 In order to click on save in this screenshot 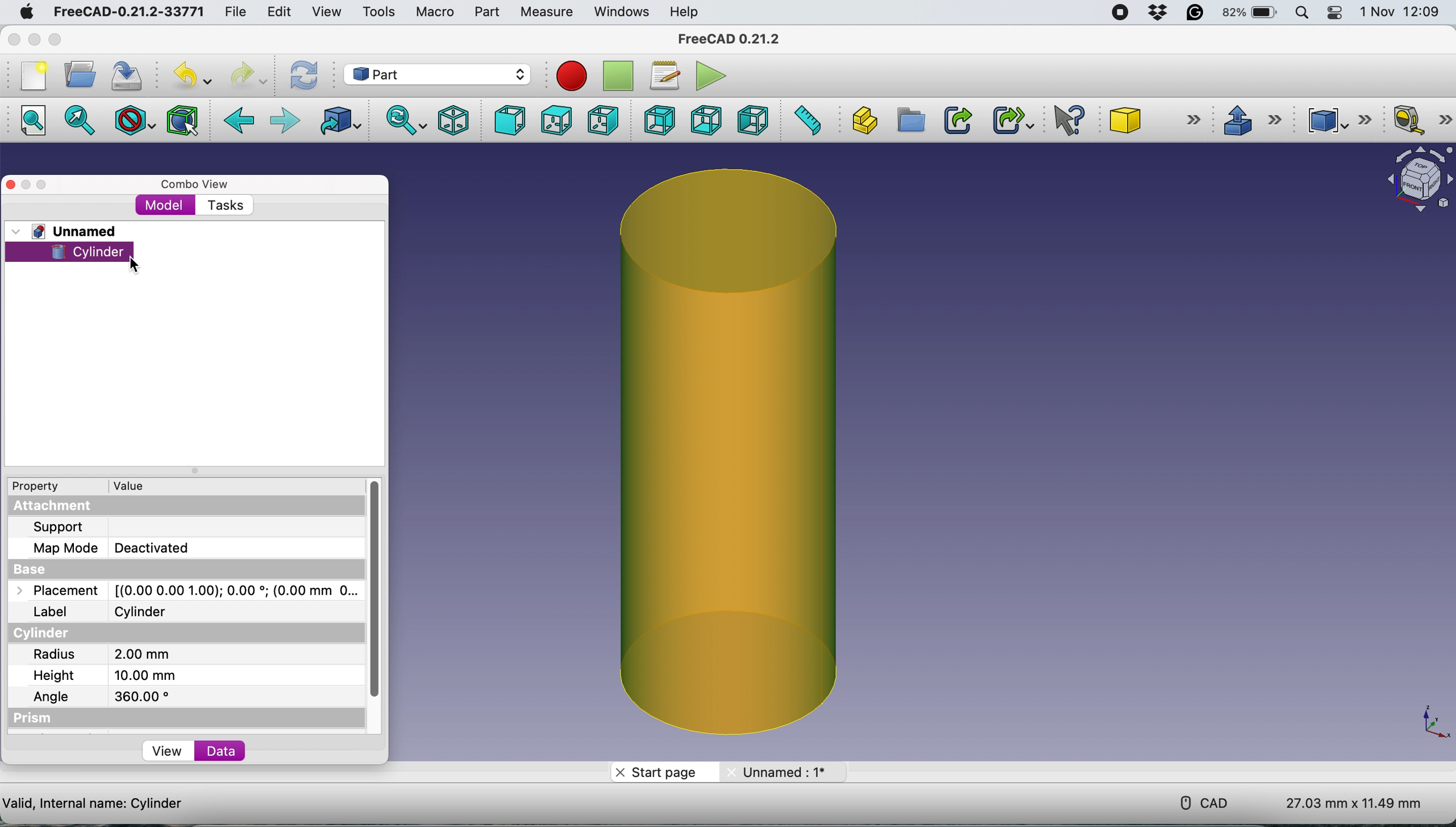, I will do `click(123, 75)`.